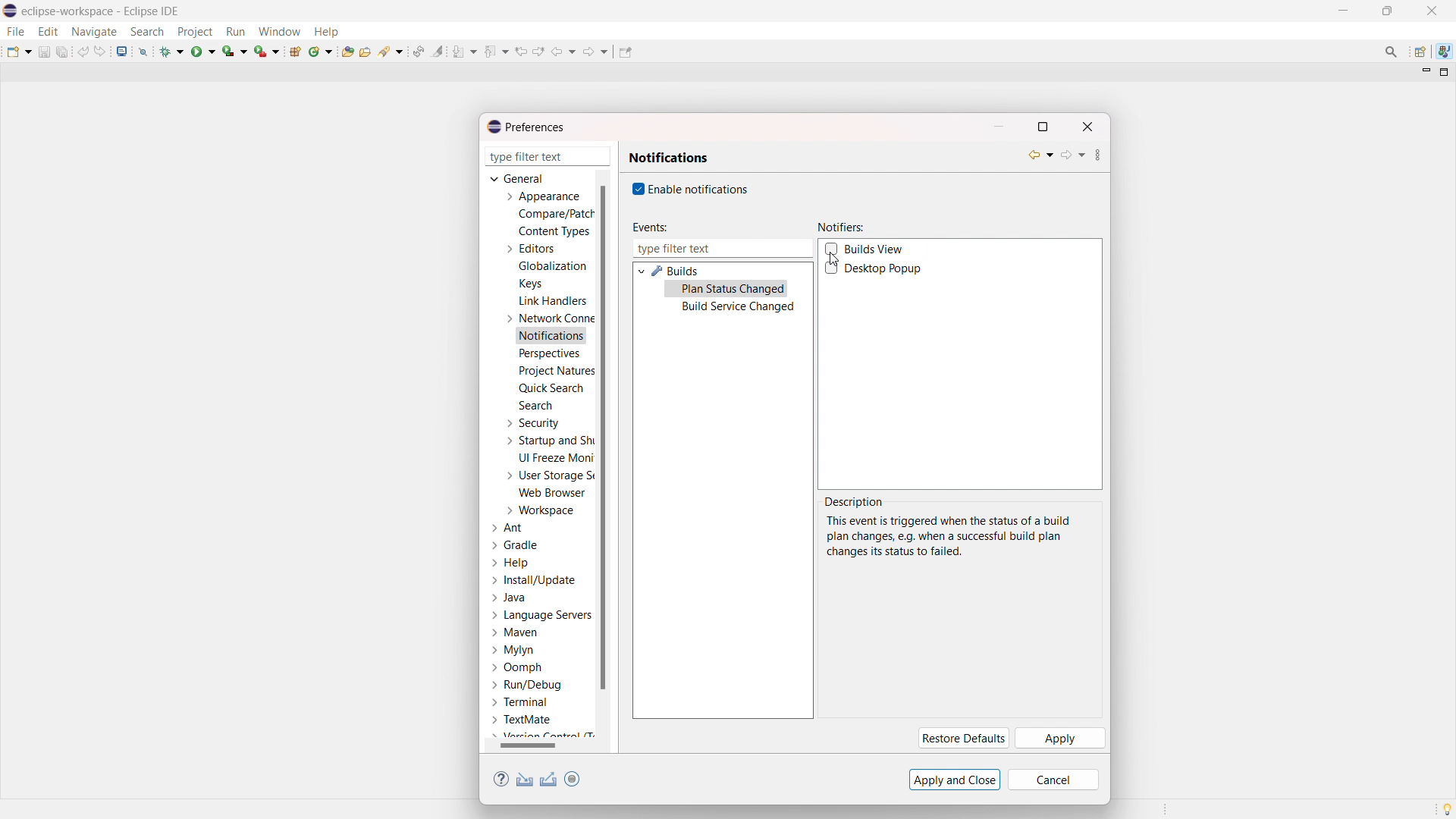 The height and width of the screenshot is (819, 1456). Describe the element at coordinates (563, 52) in the screenshot. I see `back` at that location.